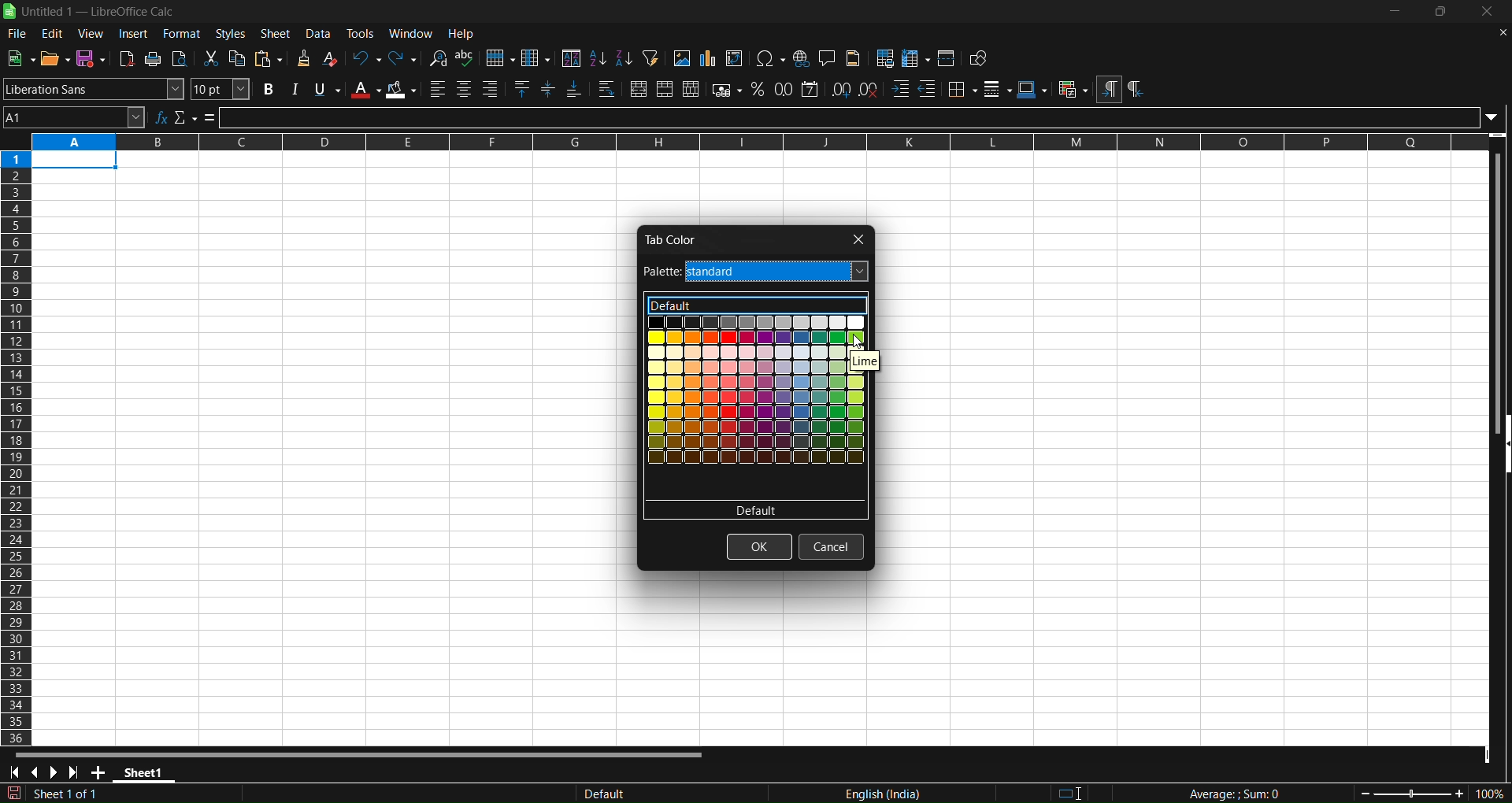  I want to click on align top, so click(524, 90).